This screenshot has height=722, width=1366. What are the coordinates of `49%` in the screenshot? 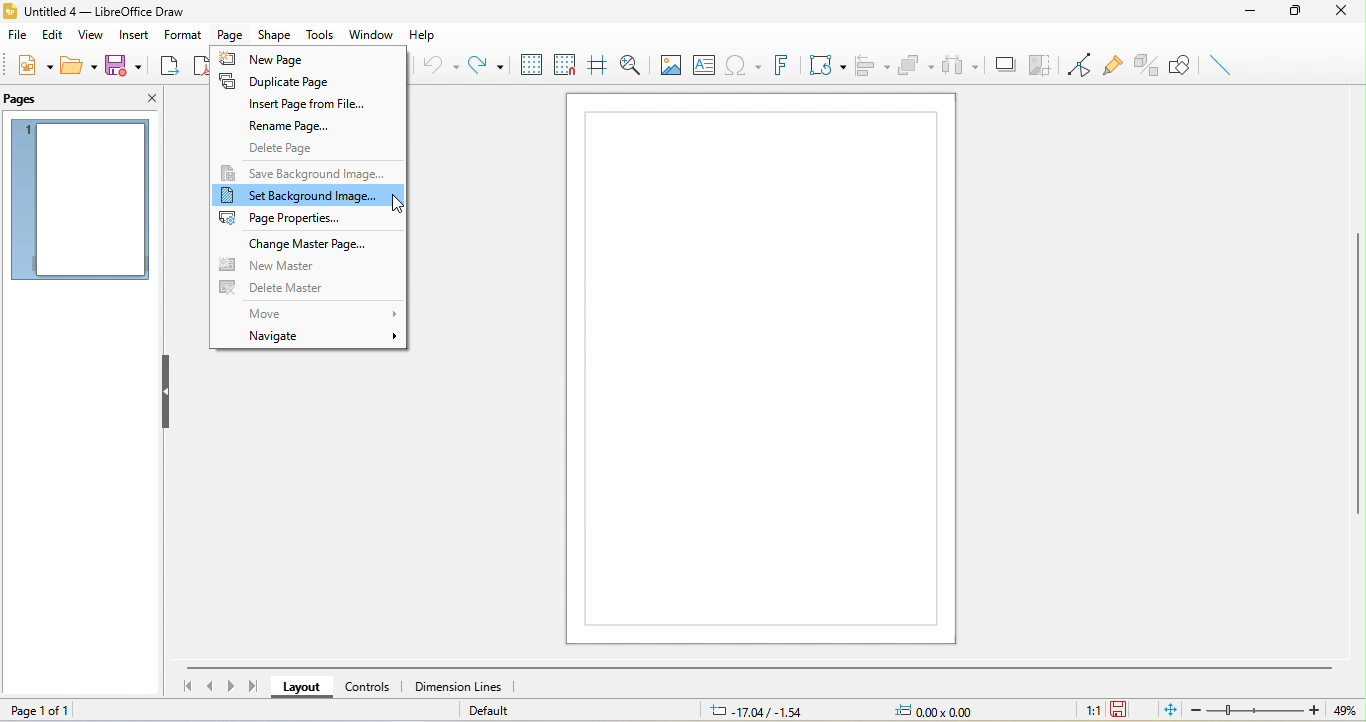 It's located at (1342, 709).